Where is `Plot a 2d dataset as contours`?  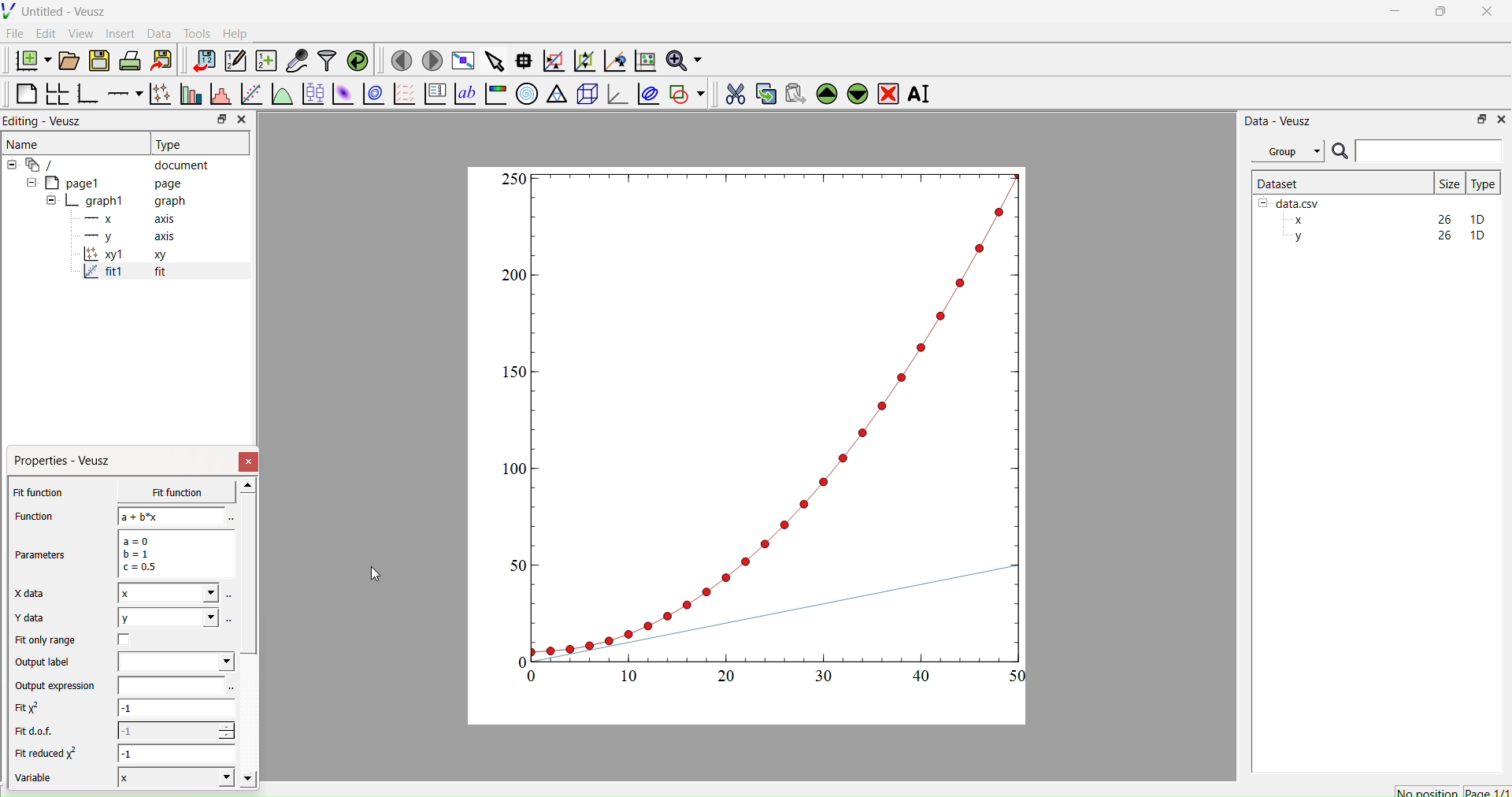 Plot a 2d dataset as contours is located at coordinates (372, 95).